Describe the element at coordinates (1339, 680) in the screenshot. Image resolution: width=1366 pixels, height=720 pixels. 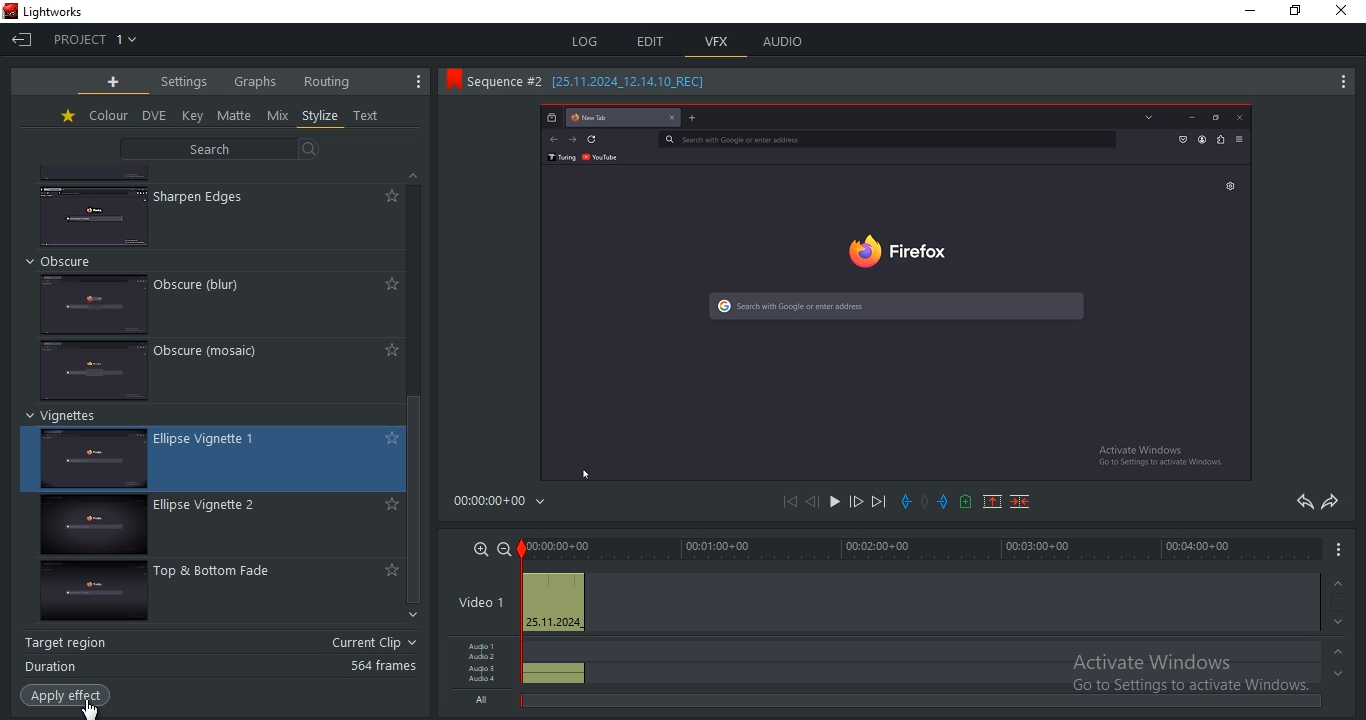
I see `greyed out down arrow` at that location.